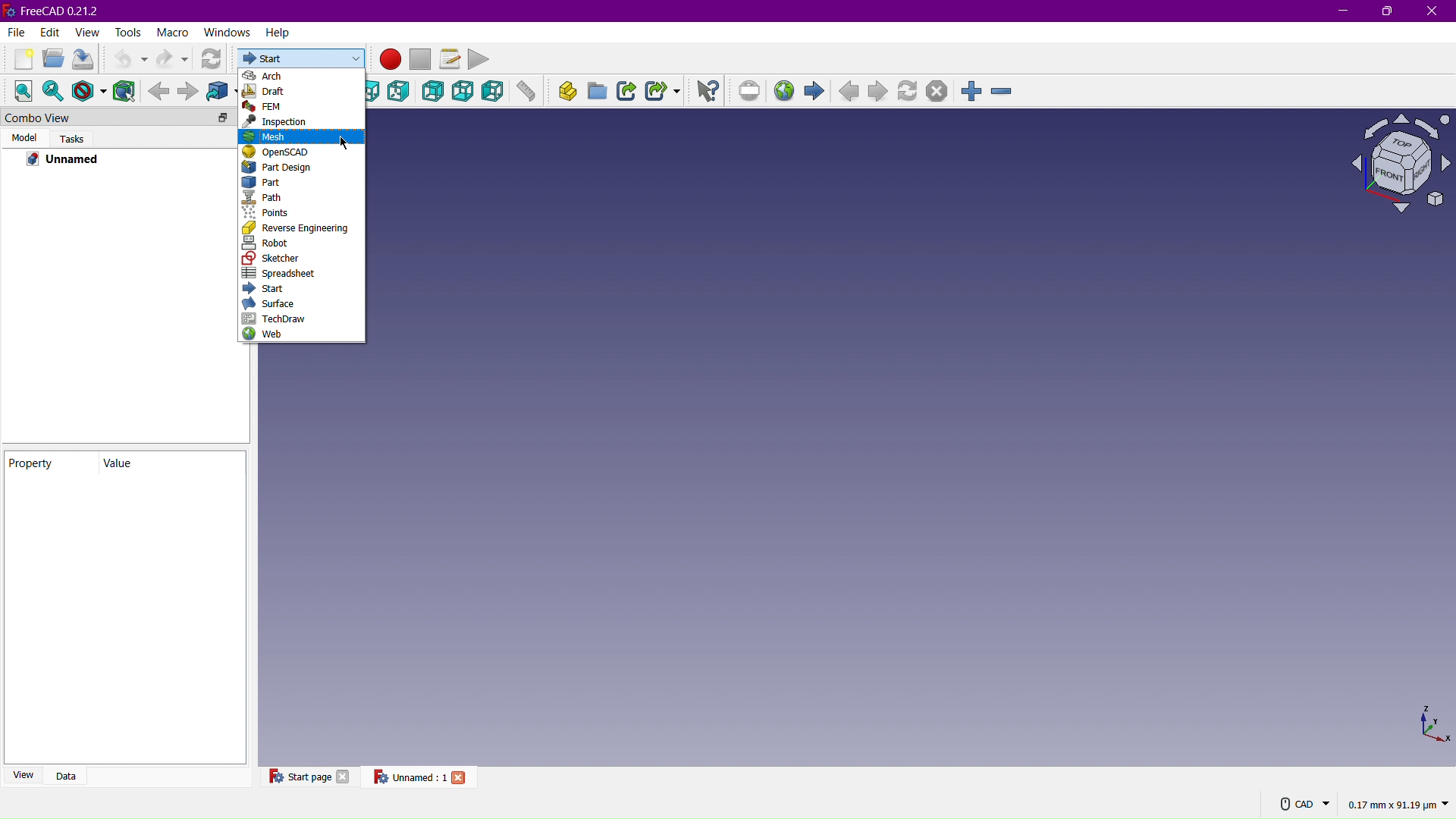 The height and width of the screenshot is (819, 1456). Describe the element at coordinates (96, 118) in the screenshot. I see `Combo View` at that location.